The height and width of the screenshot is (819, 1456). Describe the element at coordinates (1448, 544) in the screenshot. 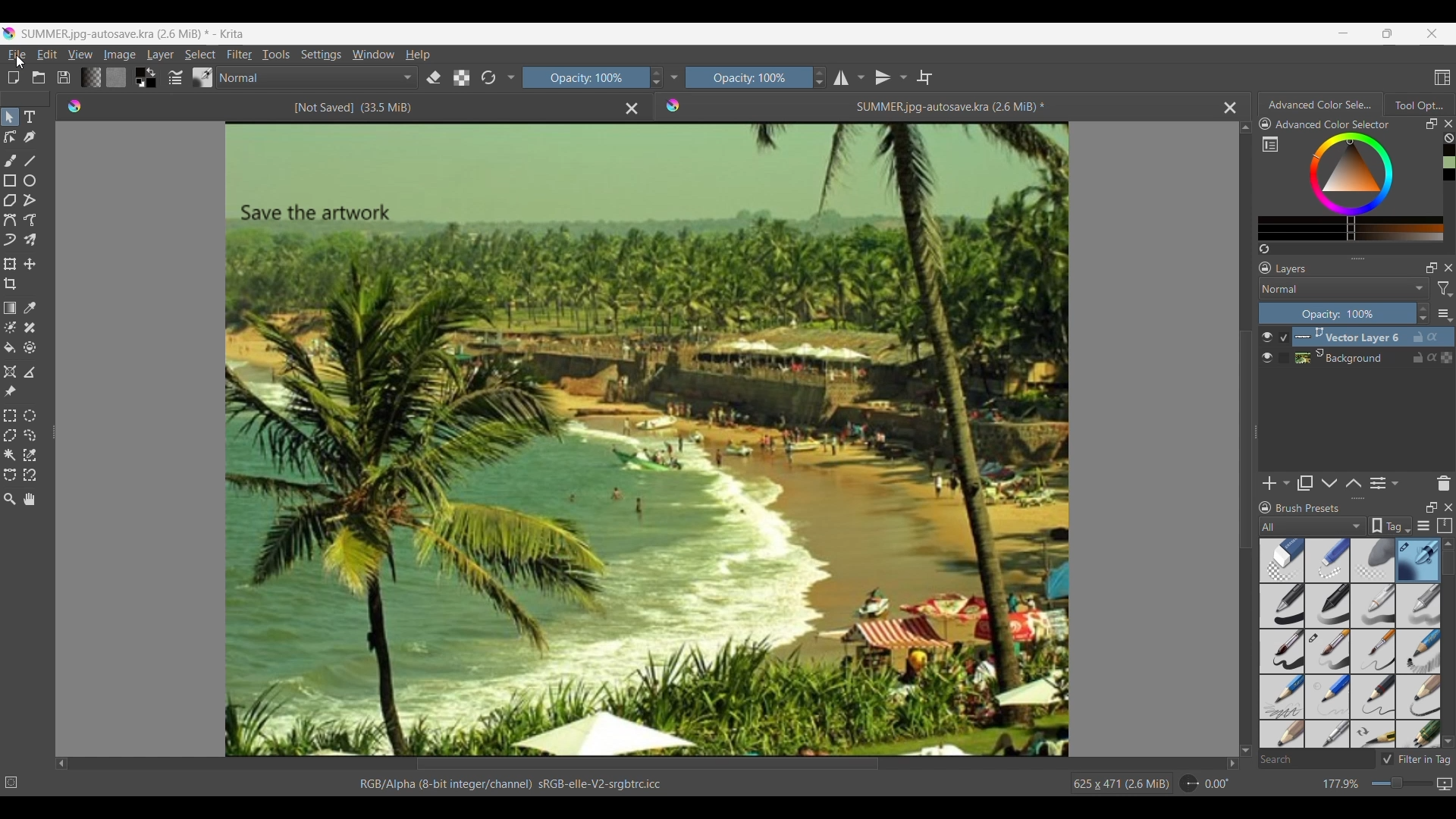

I see `Quick slide to top` at that location.